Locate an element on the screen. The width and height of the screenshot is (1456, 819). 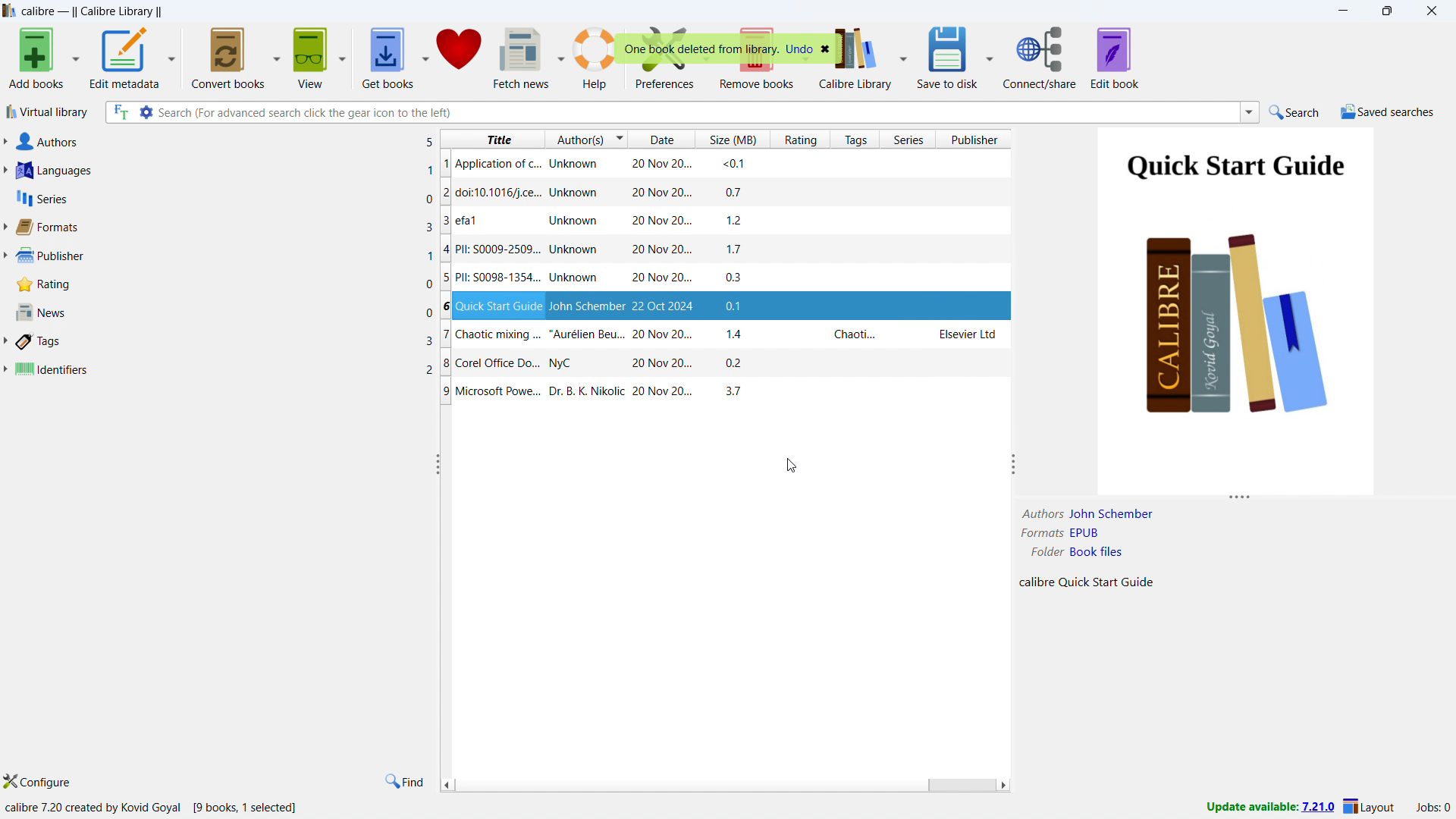
get books is located at coordinates (388, 56).